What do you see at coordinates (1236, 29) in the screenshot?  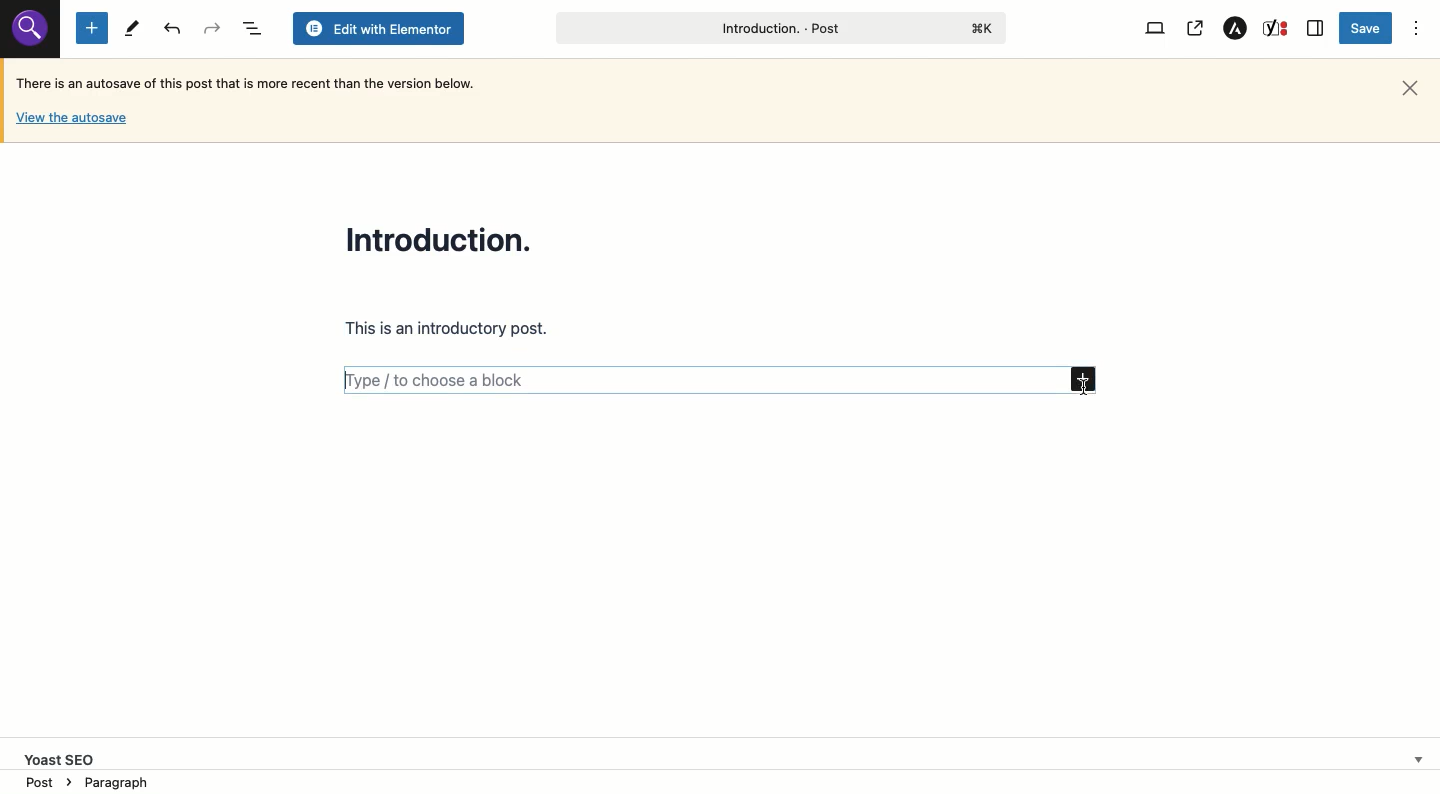 I see `Astar` at bounding box center [1236, 29].